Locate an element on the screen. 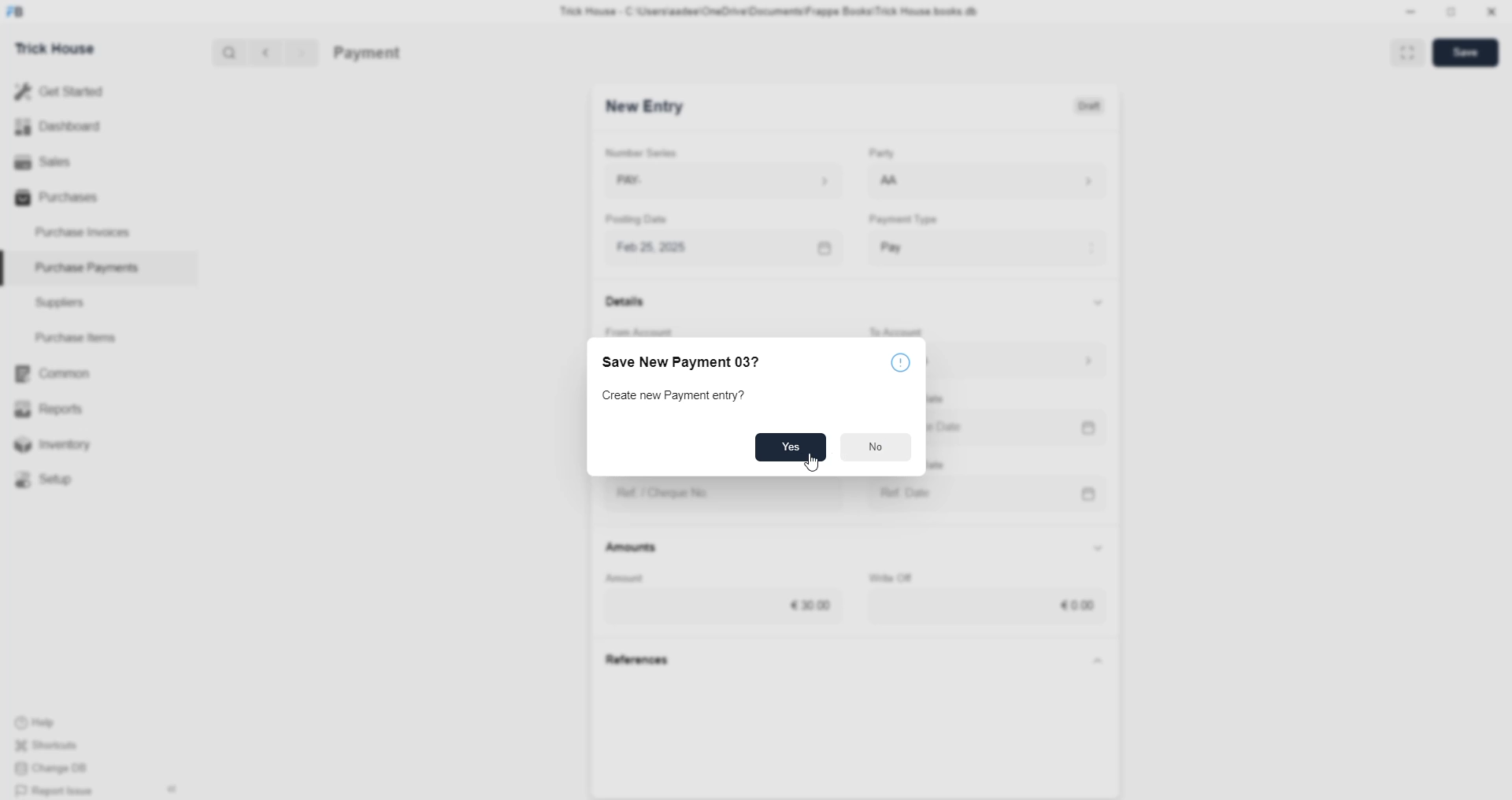 The height and width of the screenshot is (800, 1512). Inventory is located at coordinates (61, 448).